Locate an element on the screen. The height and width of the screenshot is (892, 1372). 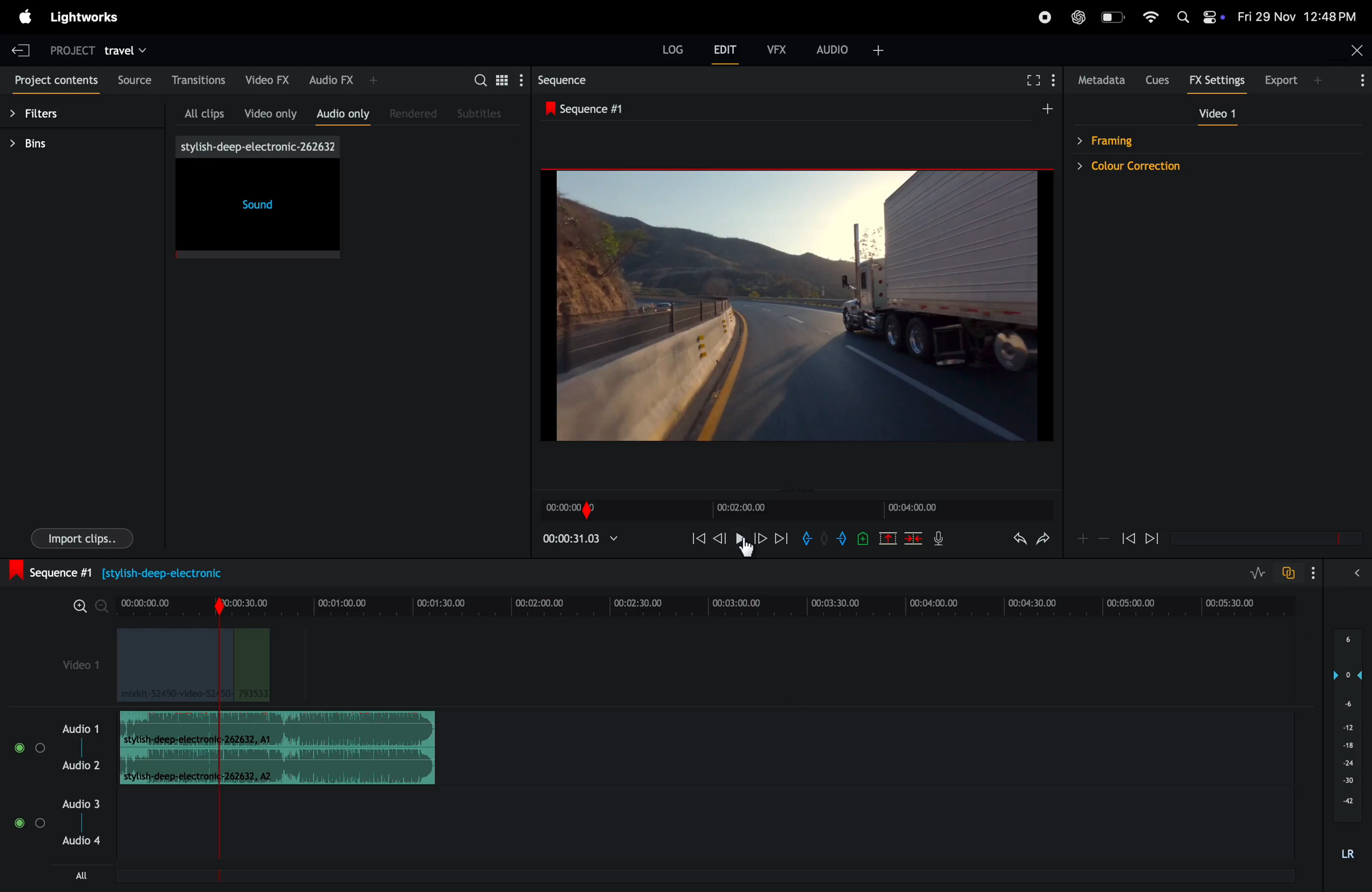
time frame is located at coordinates (707, 603).